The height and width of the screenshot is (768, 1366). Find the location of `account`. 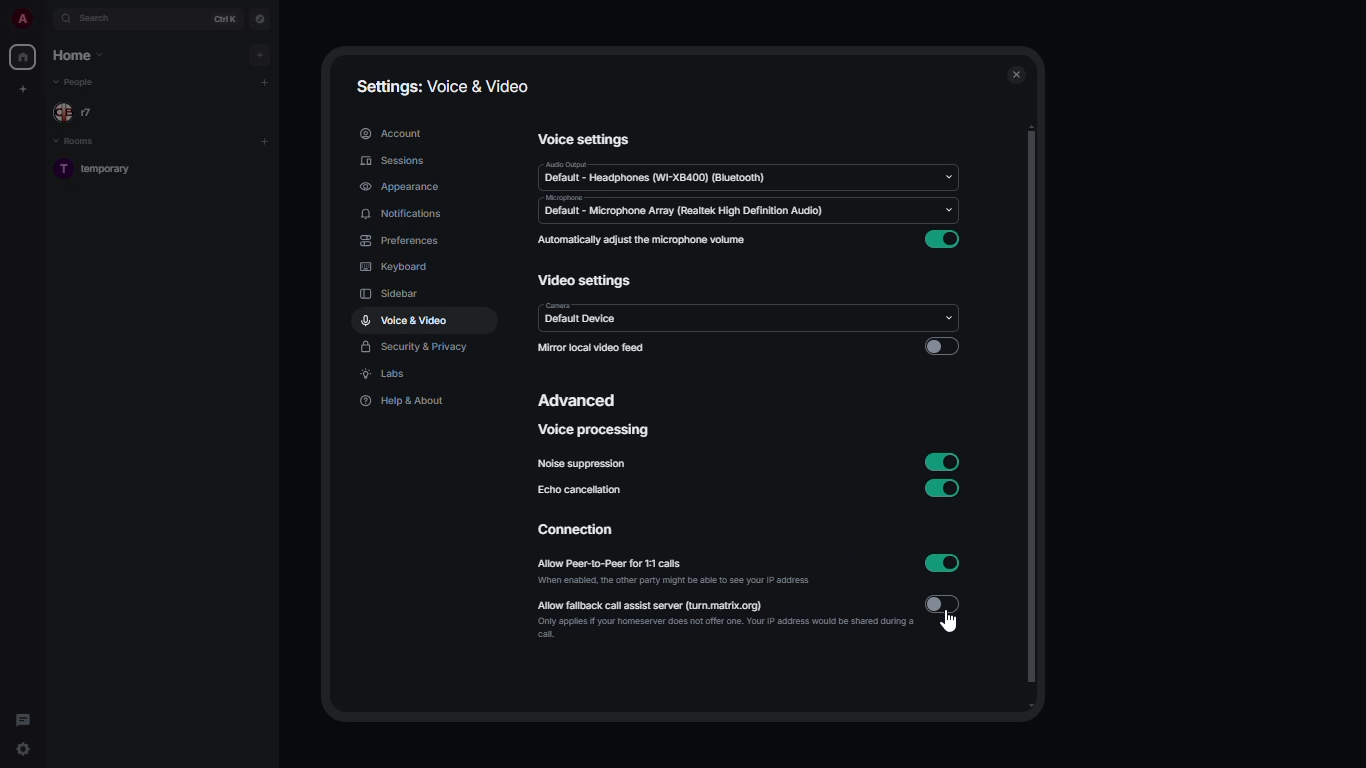

account is located at coordinates (392, 132).